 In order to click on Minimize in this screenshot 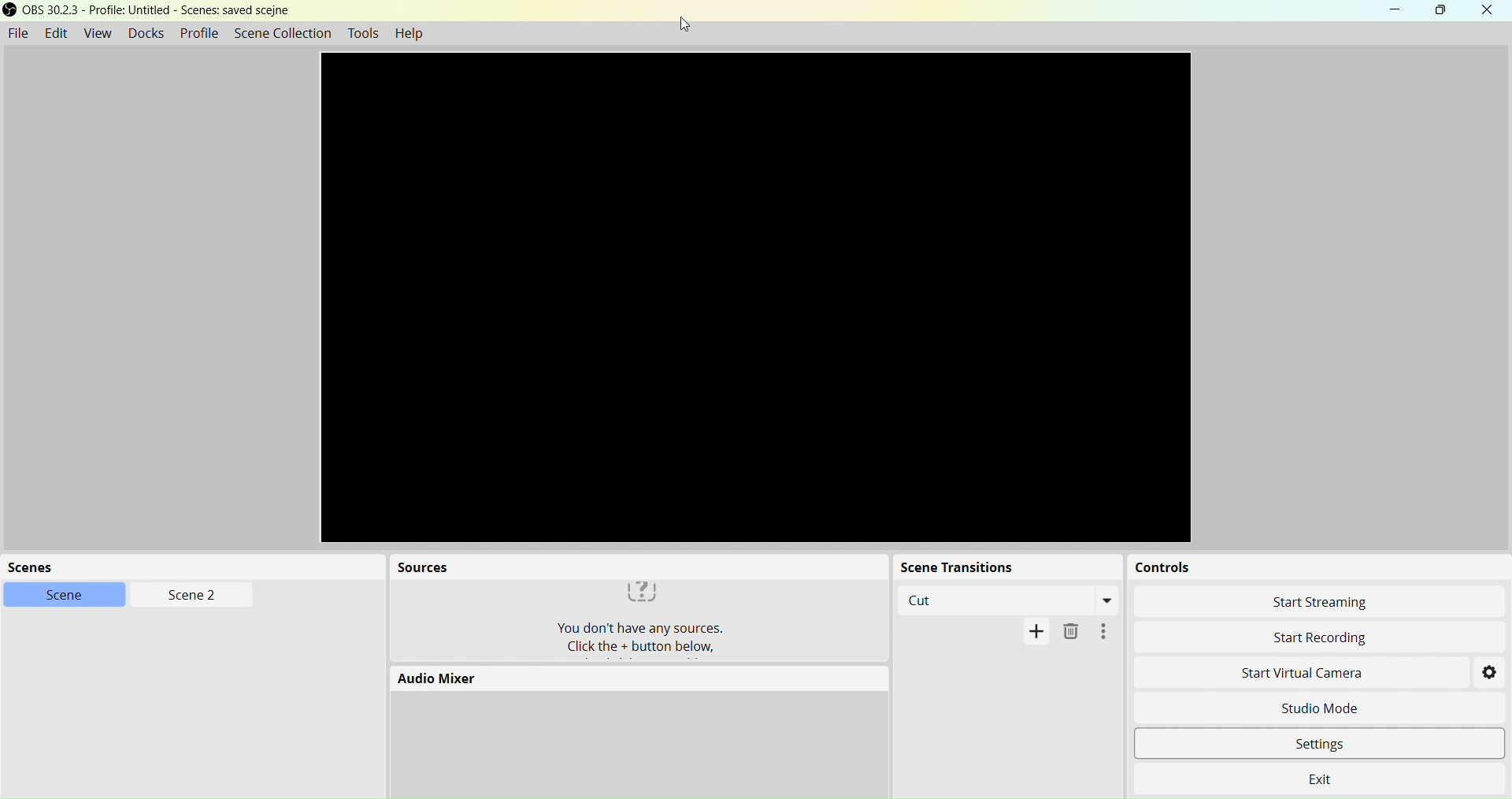, I will do `click(1400, 10)`.